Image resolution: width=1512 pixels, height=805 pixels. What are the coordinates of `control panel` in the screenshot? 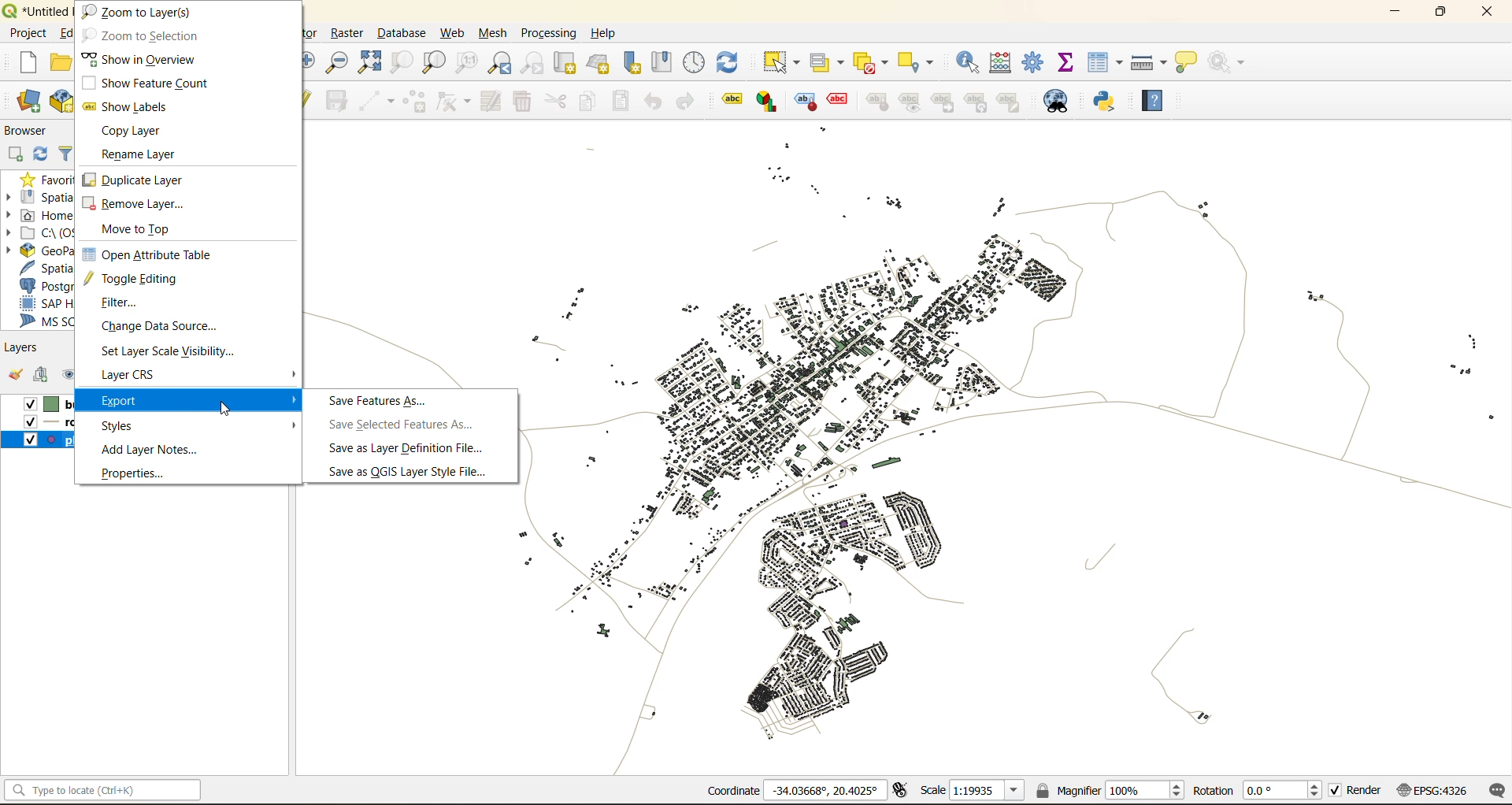 It's located at (695, 61).